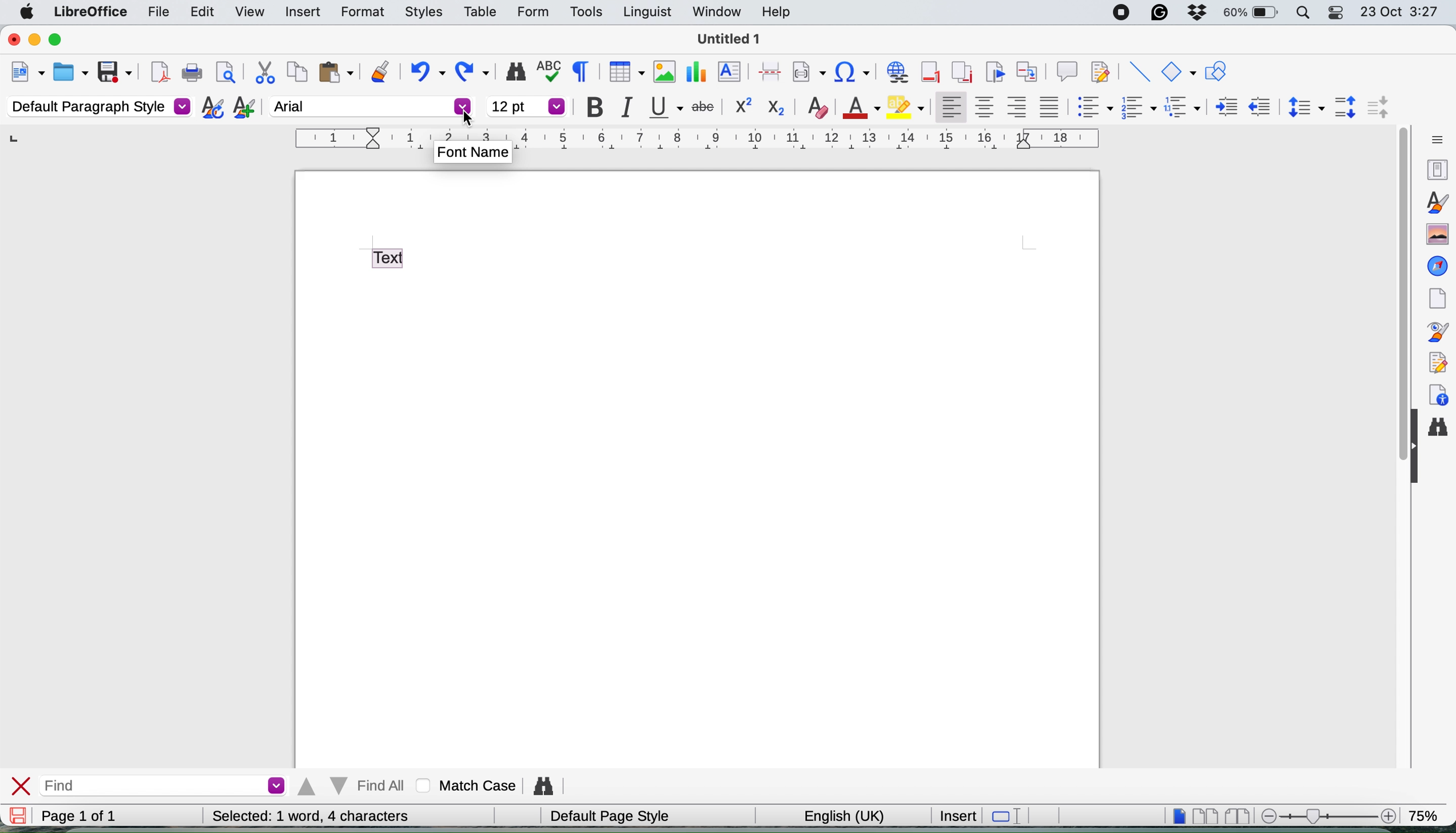 The image size is (1456, 833). I want to click on multi page view, so click(1204, 815).